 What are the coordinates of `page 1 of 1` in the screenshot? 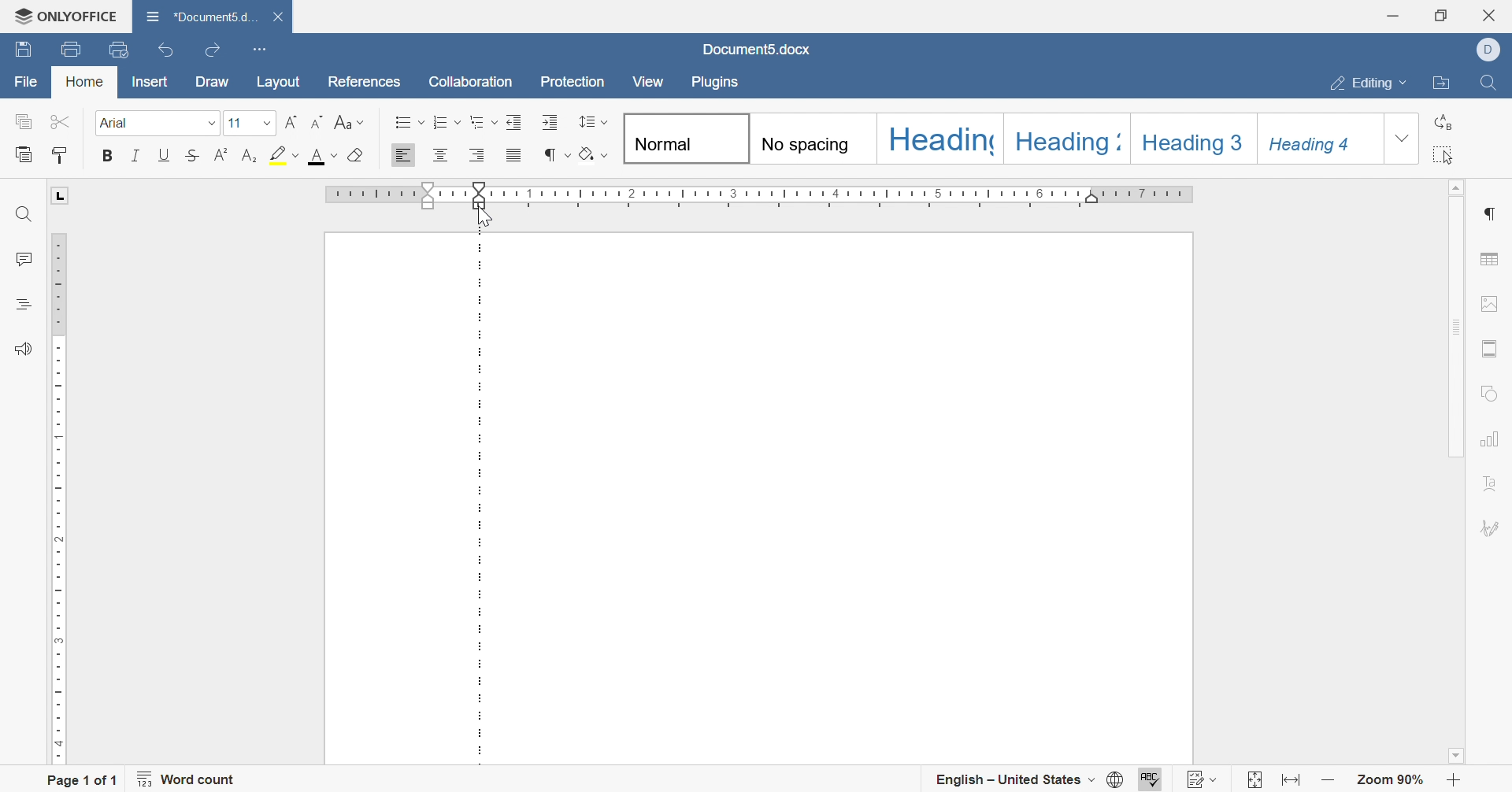 It's located at (83, 779).